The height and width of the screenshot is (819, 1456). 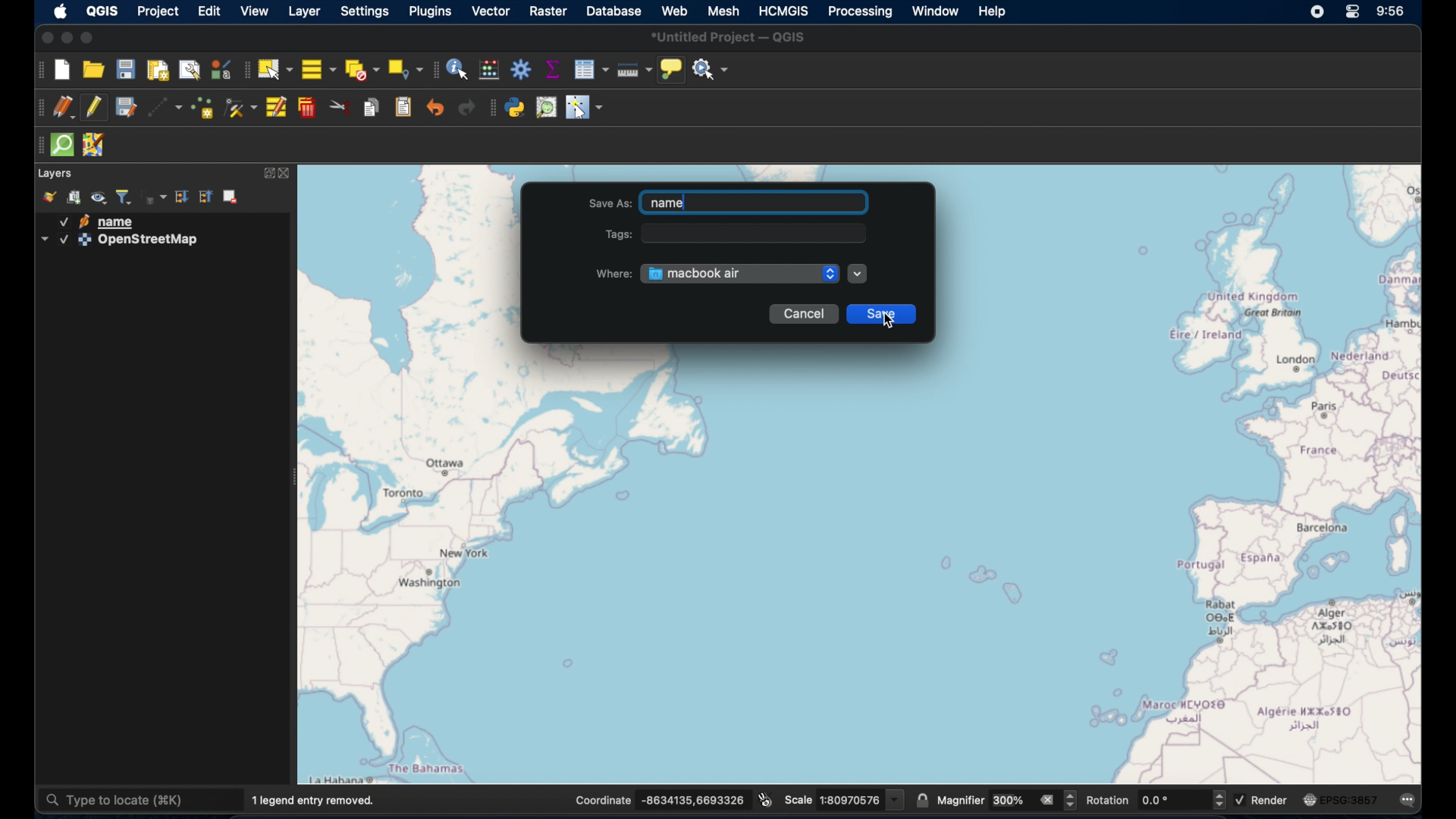 What do you see at coordinates (521, 69) in the screenshot?
I see `toolbox` at bounding box center [521, 69].